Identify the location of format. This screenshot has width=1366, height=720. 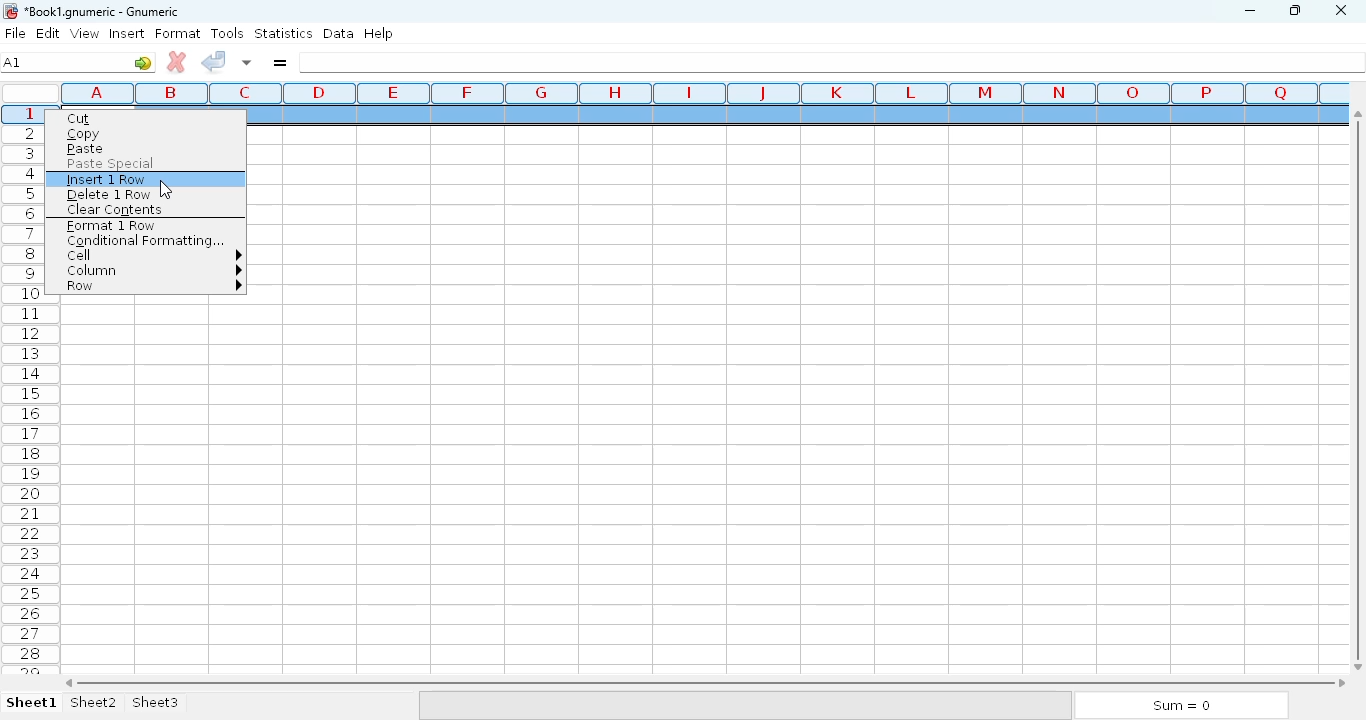
(178, 33).